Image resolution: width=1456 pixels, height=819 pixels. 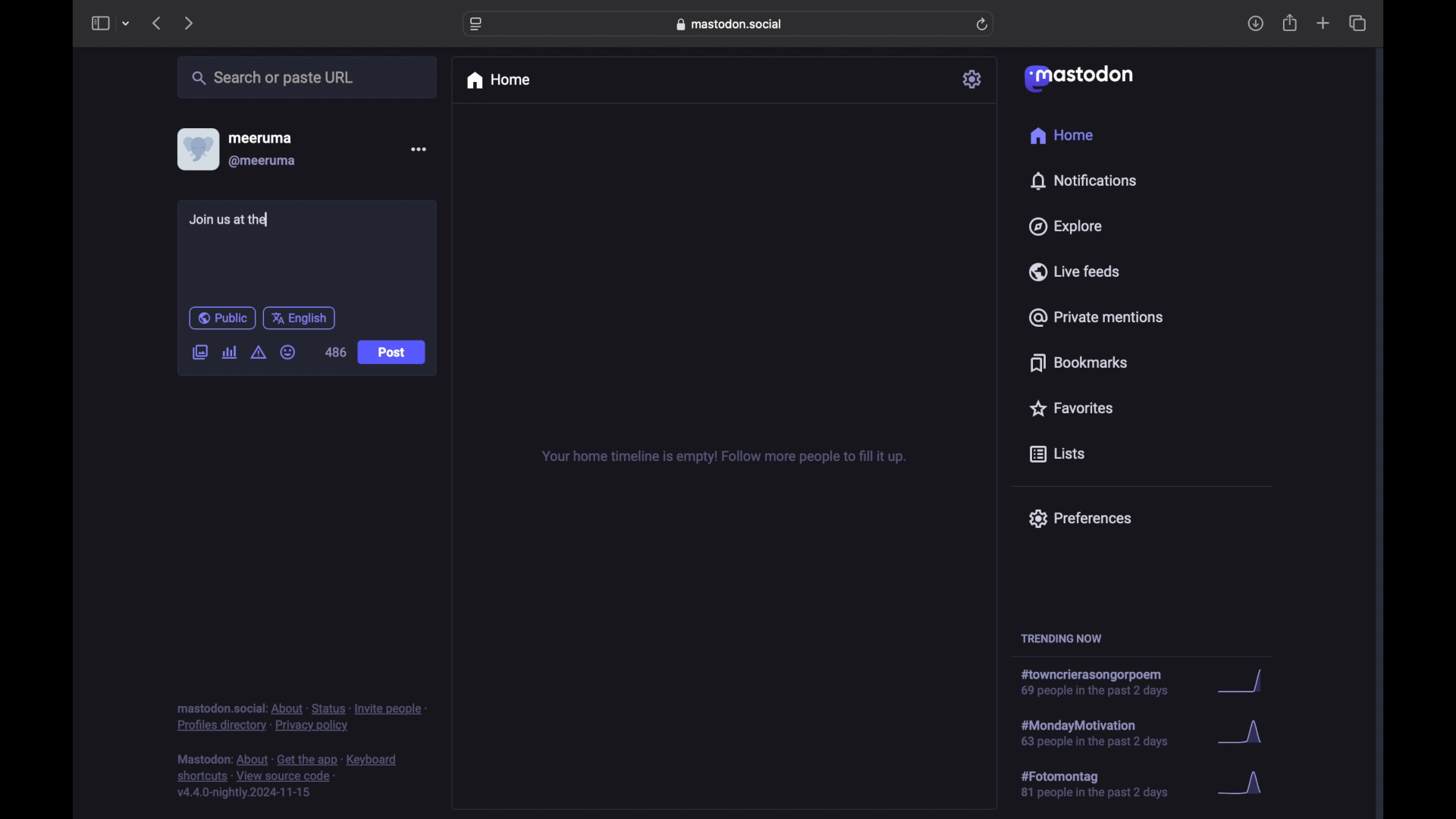 What do you see at coordinates (1061, 136) in the screenshot?
I see `home` at bounding box center [1061, 136].